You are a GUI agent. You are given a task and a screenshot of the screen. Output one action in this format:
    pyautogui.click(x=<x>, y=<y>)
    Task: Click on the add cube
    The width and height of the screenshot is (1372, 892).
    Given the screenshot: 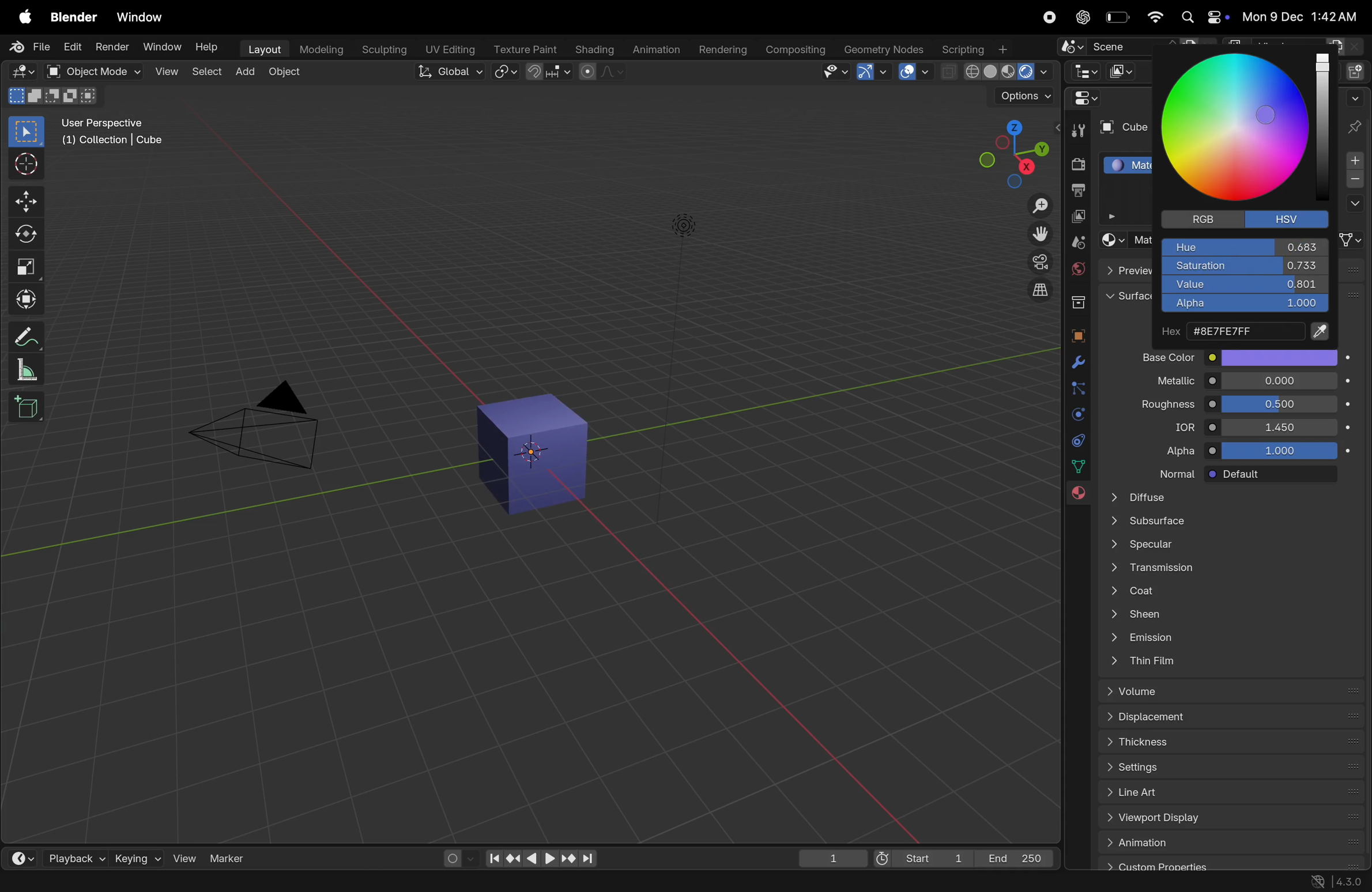 What is the action you would take?
    pyautogui.click(x=29, y=406)
    